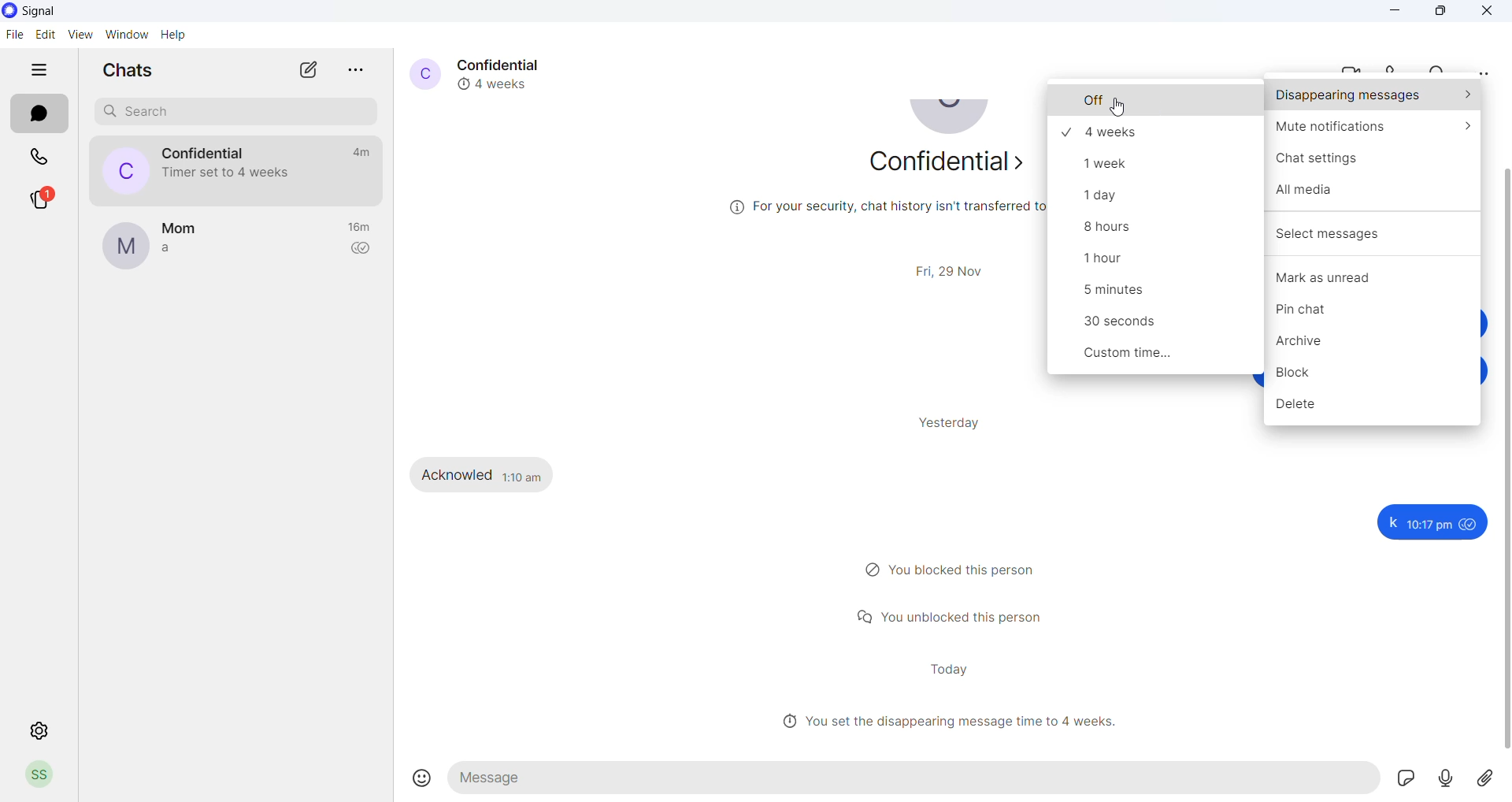 Image resolution: width=1512 pixels, height=802 pixels. What do you see at coordinates (1151, 232) in the screenshot?
I see `disappearing messages timeframe` at bounding box center [1151, 232].